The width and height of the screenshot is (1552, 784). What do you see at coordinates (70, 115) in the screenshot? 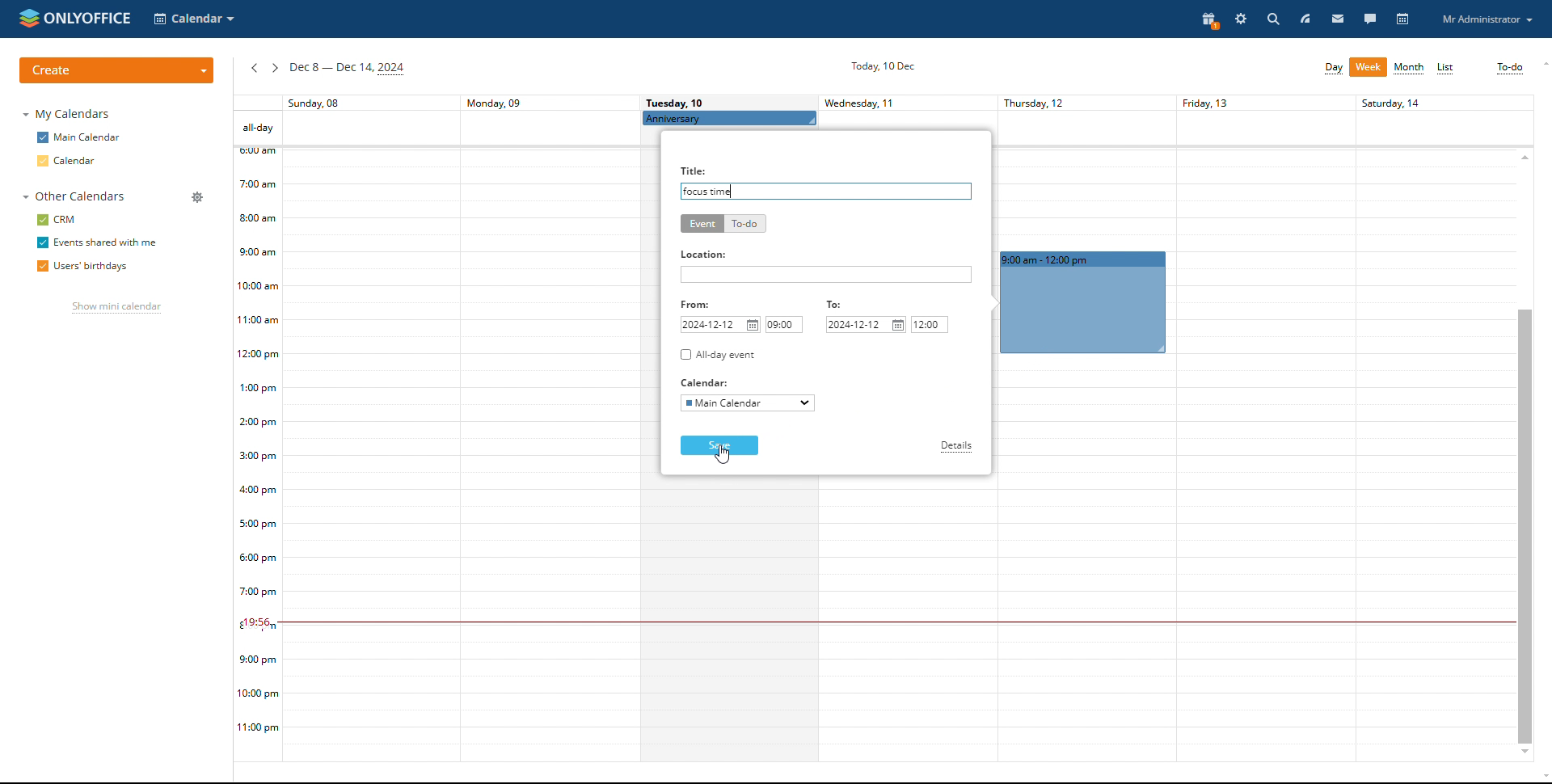
I see `my calendars` at bounding box center [70, 115].